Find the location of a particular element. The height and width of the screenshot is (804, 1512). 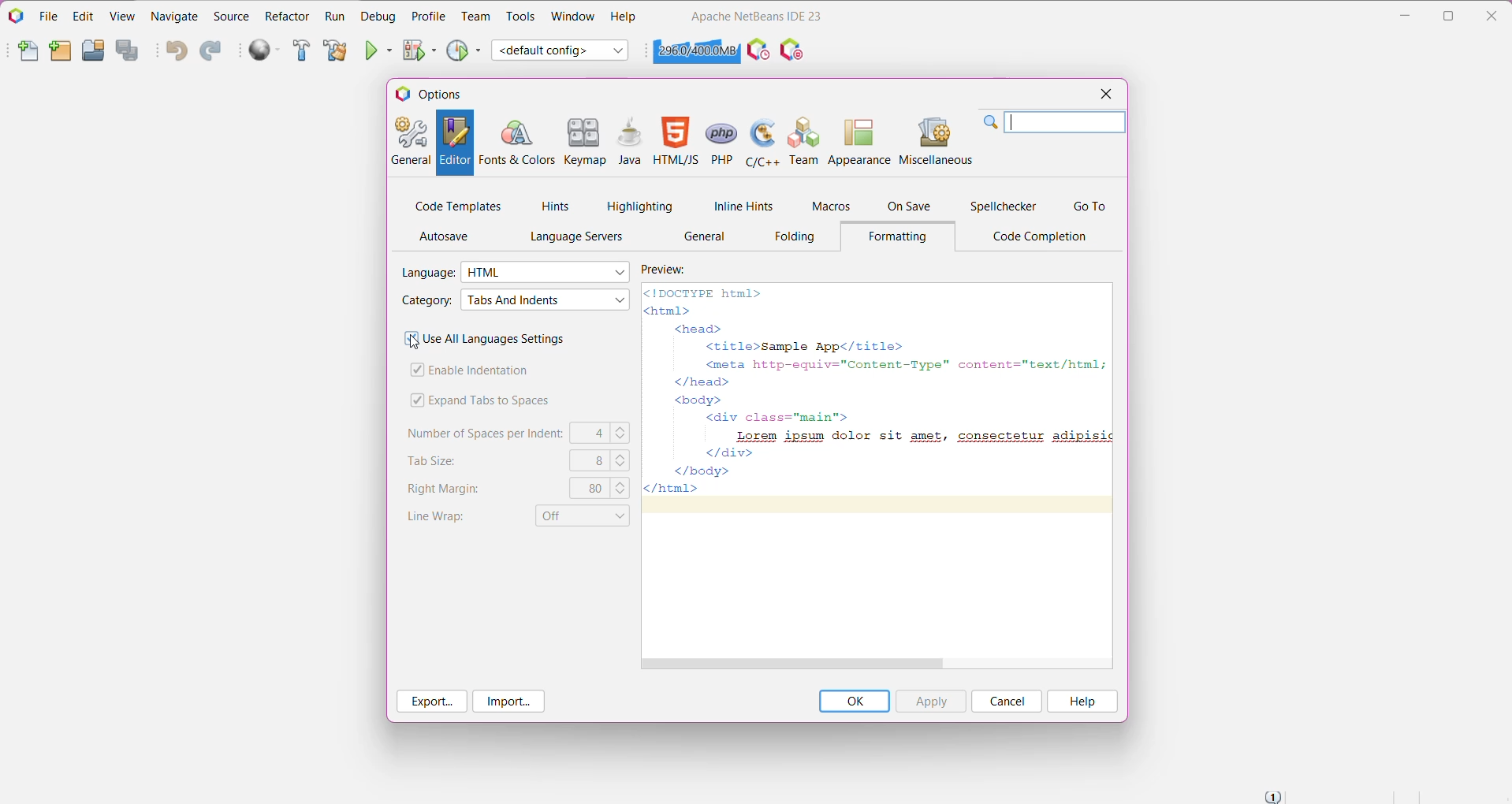

Inline Hints is located at coordinates (741, 206).